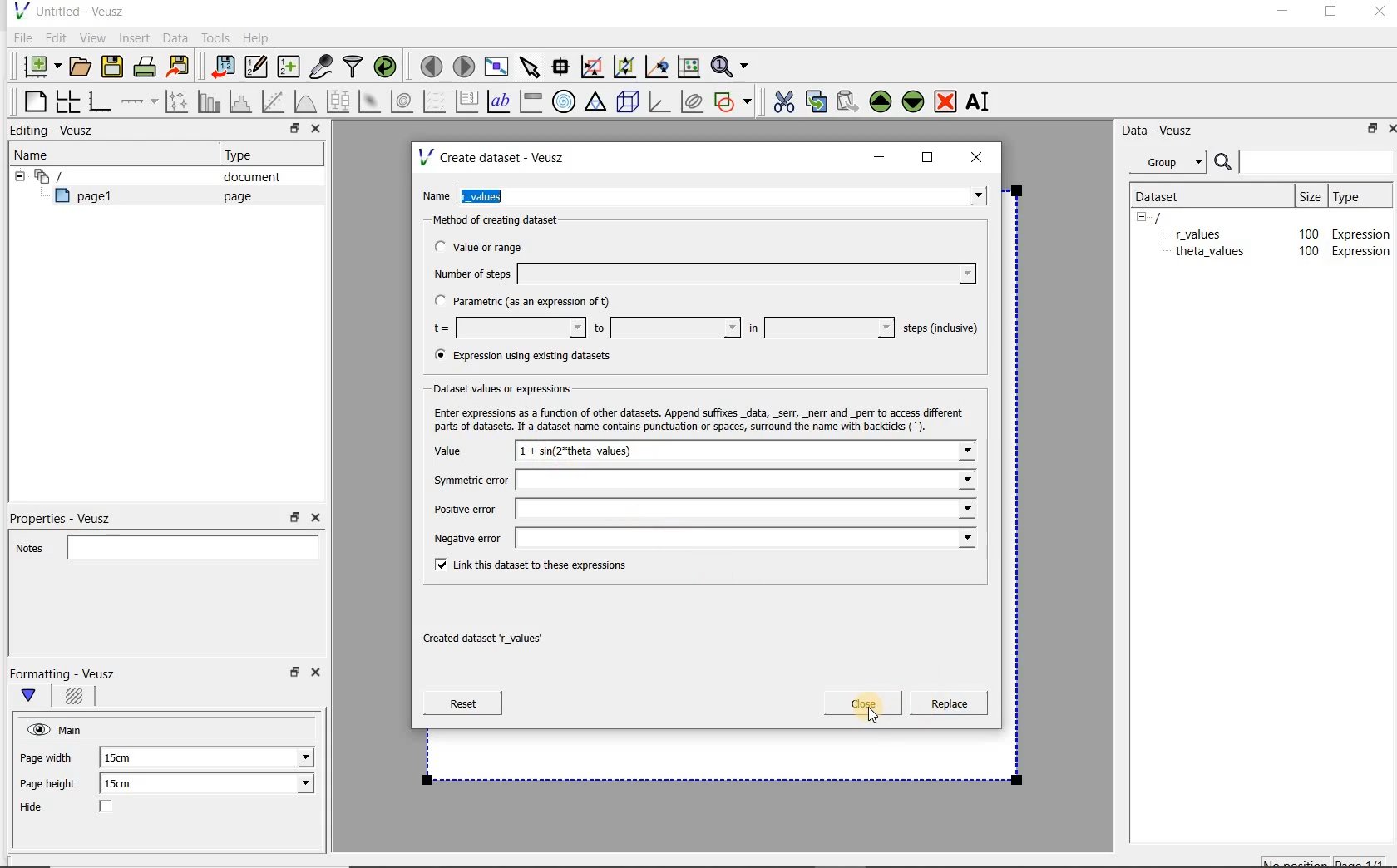 This screenshot has height=868, width=1397. Describe the element at coordinates (234, 196) in the screenshot. I see `page` at that location.